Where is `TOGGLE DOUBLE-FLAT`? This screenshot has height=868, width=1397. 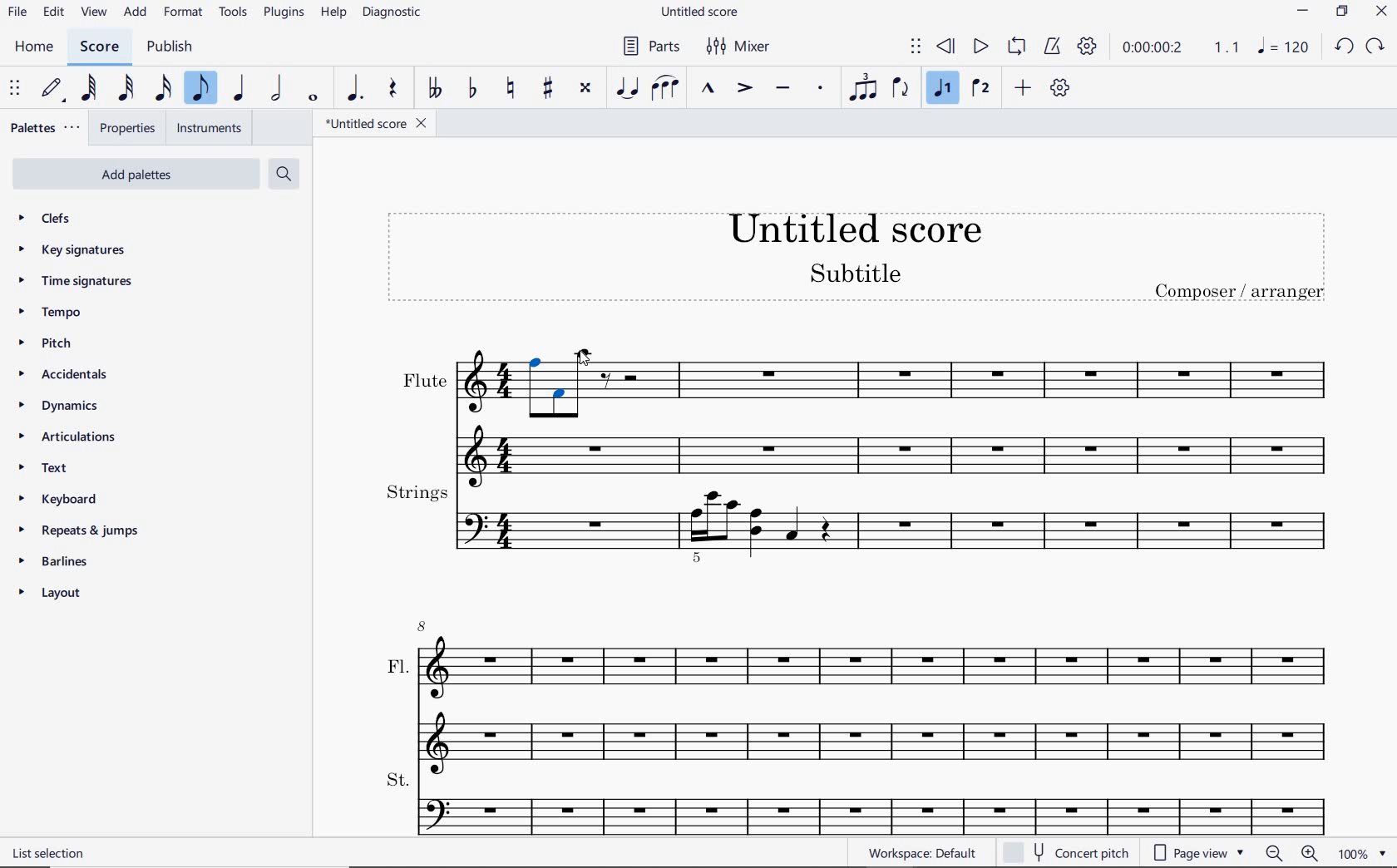
TOGGLE DOUBLE-FLAT is located at coordinates (435, 89).